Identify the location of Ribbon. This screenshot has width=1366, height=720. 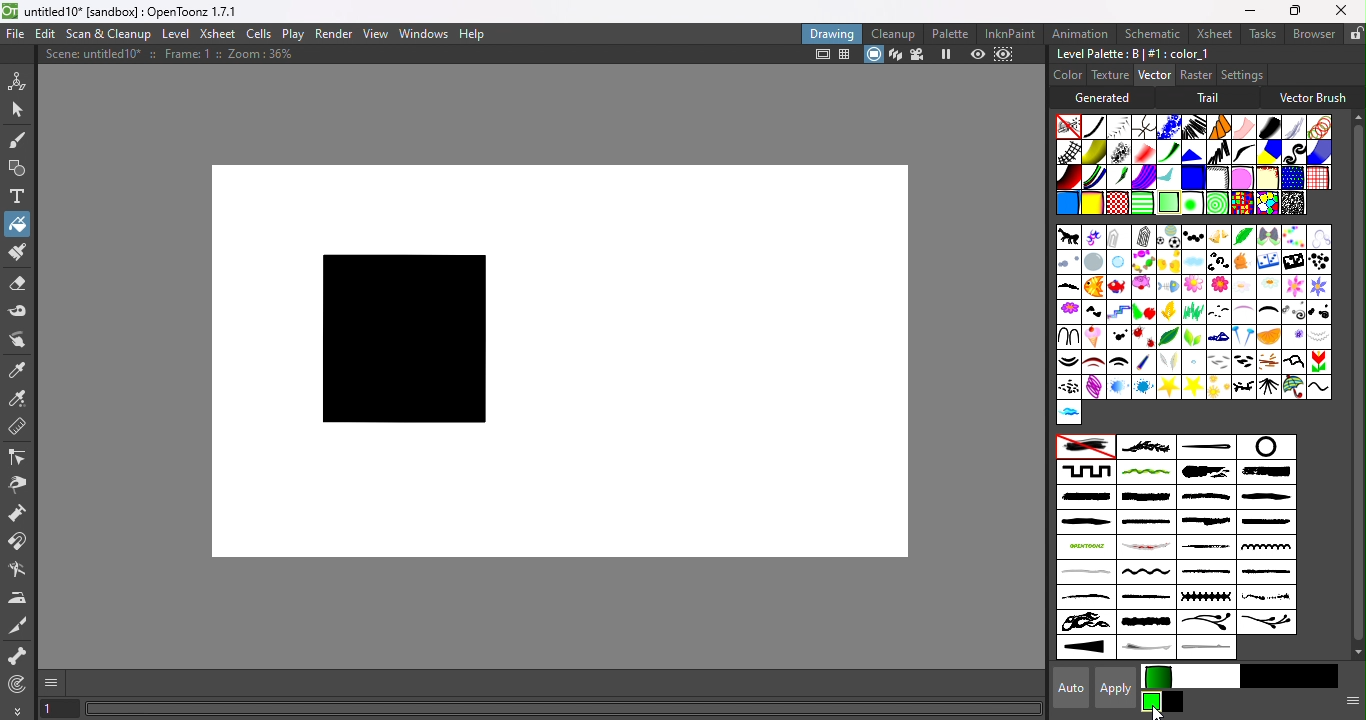
(1169, 152).